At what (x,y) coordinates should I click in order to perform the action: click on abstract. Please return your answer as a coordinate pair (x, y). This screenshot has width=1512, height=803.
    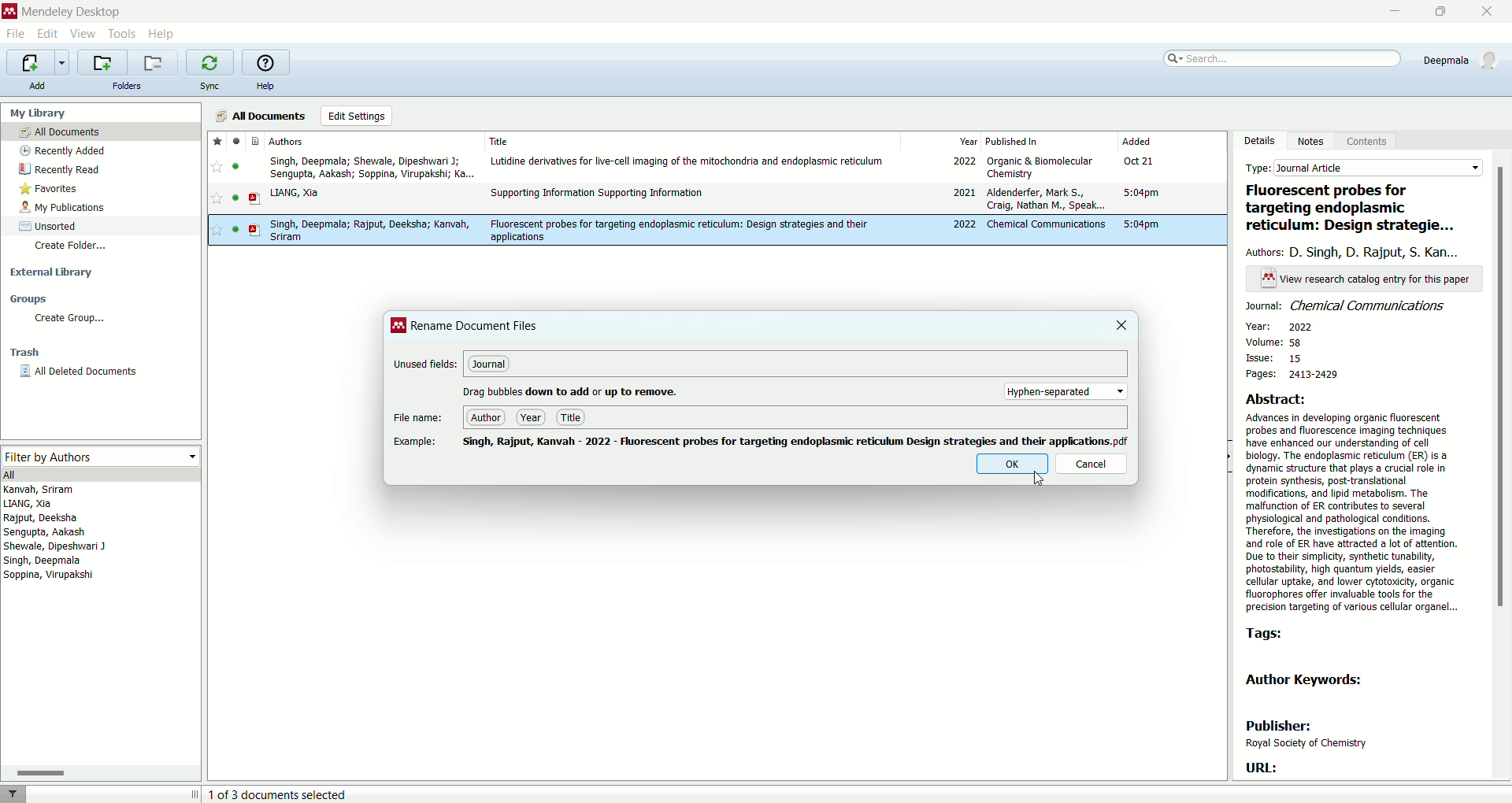
    Looking at the image, I should click on (1362, 503).